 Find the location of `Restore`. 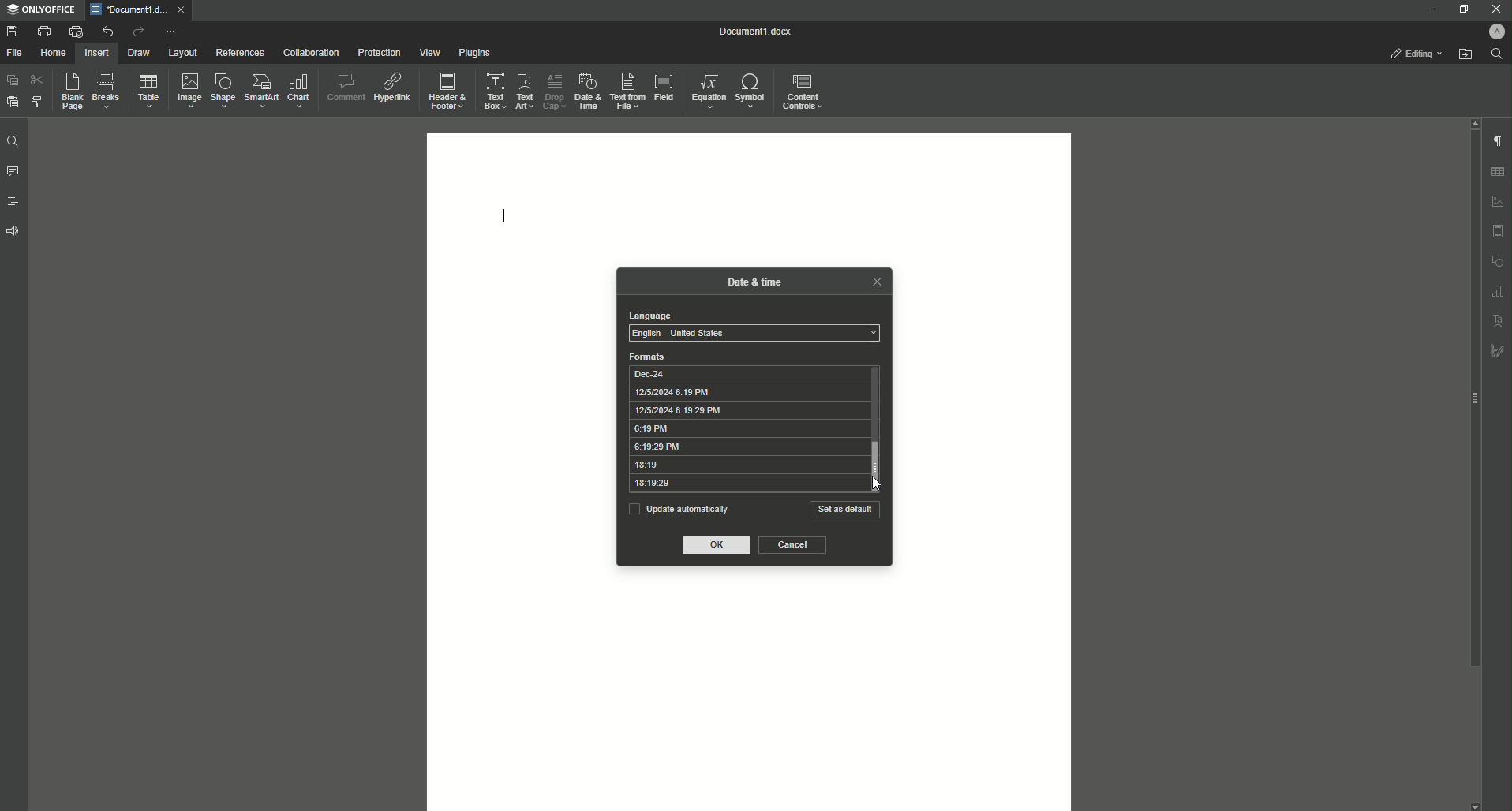

Restore is located at coordinates (1460, 9).